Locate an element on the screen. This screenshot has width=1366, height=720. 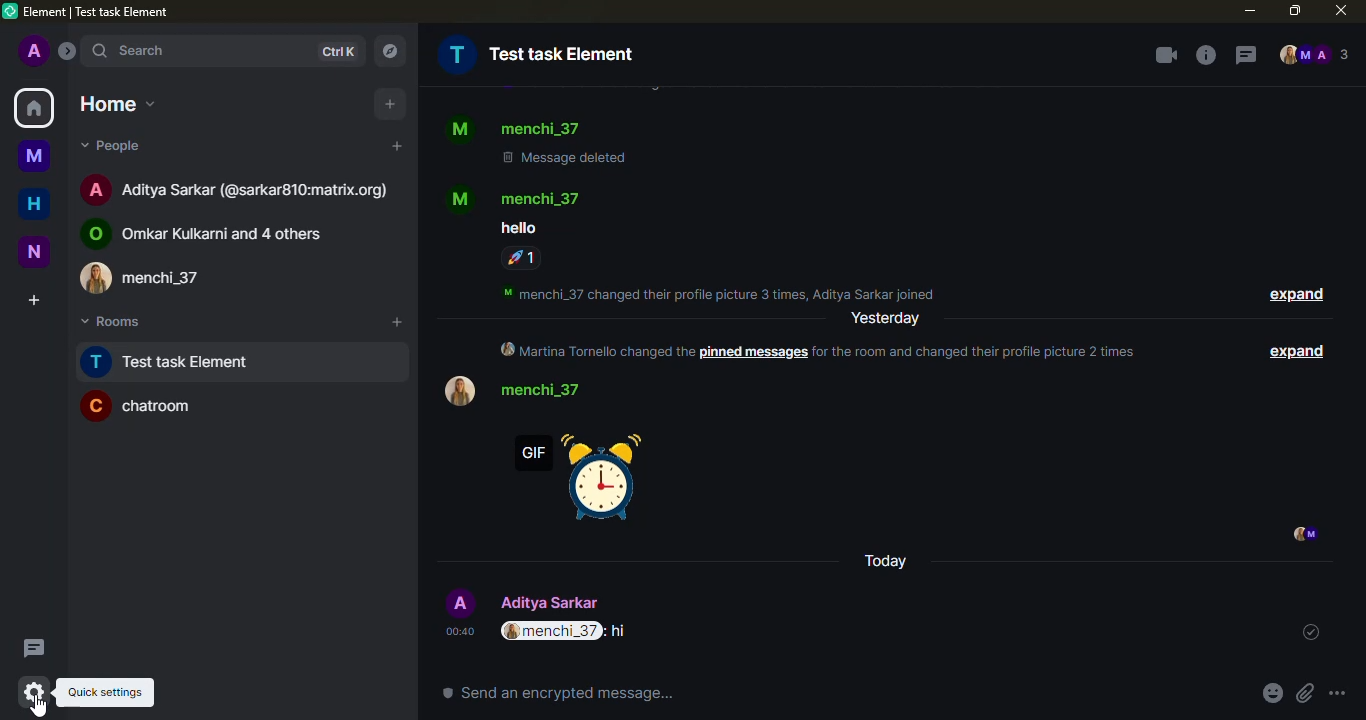
element| test task element is located at coordinates (104, 13).